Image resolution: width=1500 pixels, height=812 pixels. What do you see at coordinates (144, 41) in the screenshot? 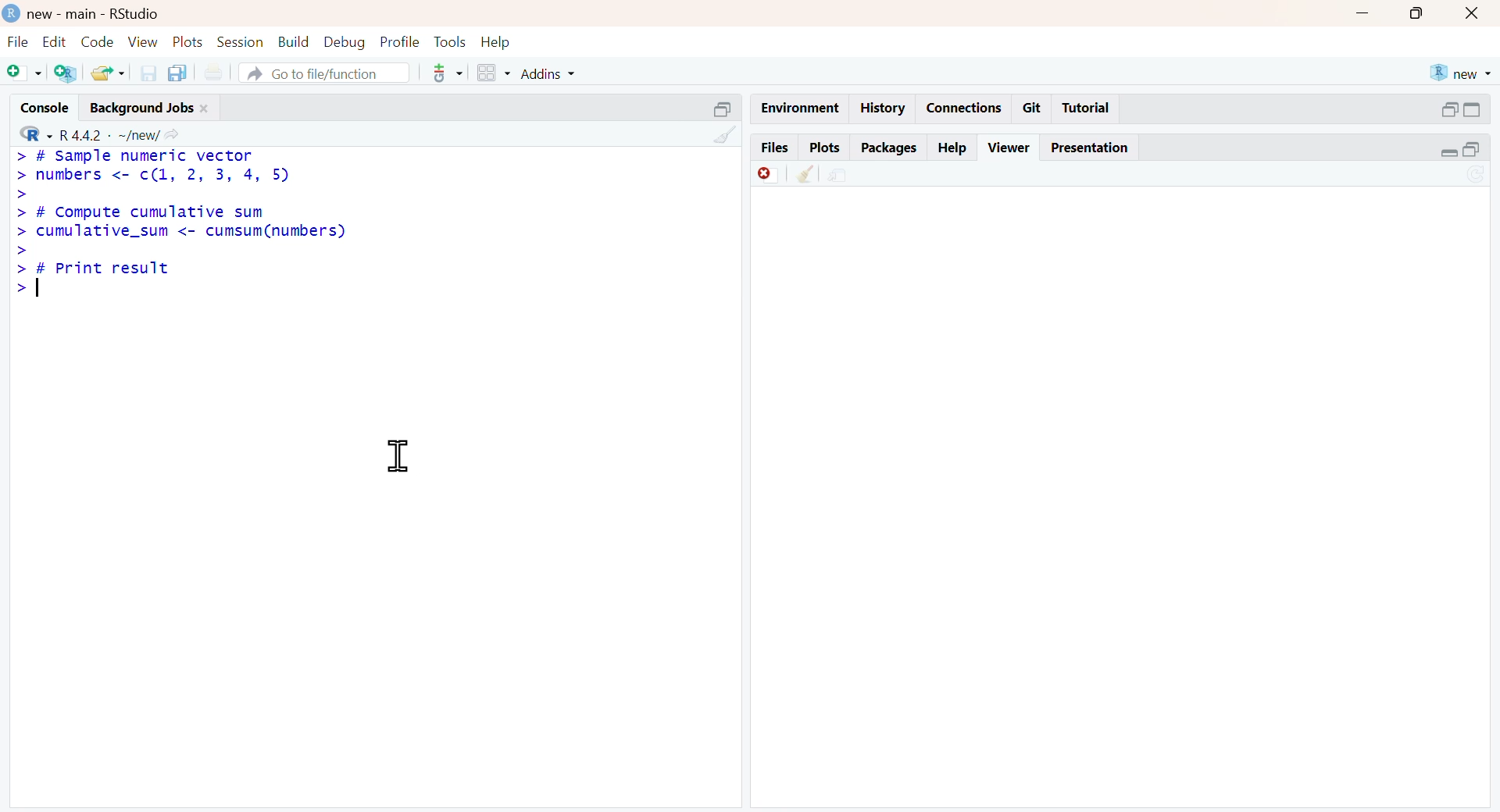
I see `view` at bounding box center [144, 41].